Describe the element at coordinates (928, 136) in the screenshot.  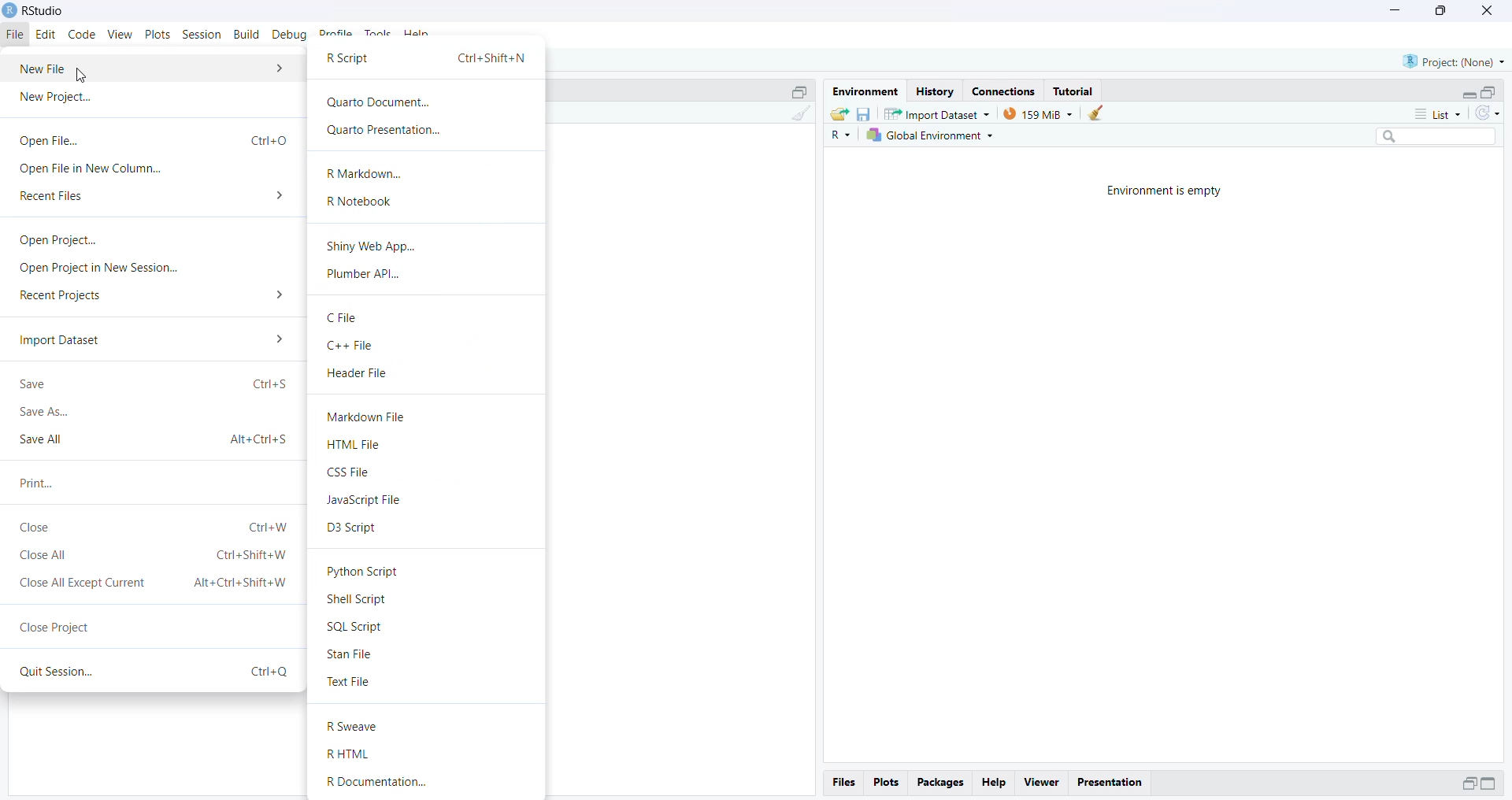
I see `global environment` at that location.